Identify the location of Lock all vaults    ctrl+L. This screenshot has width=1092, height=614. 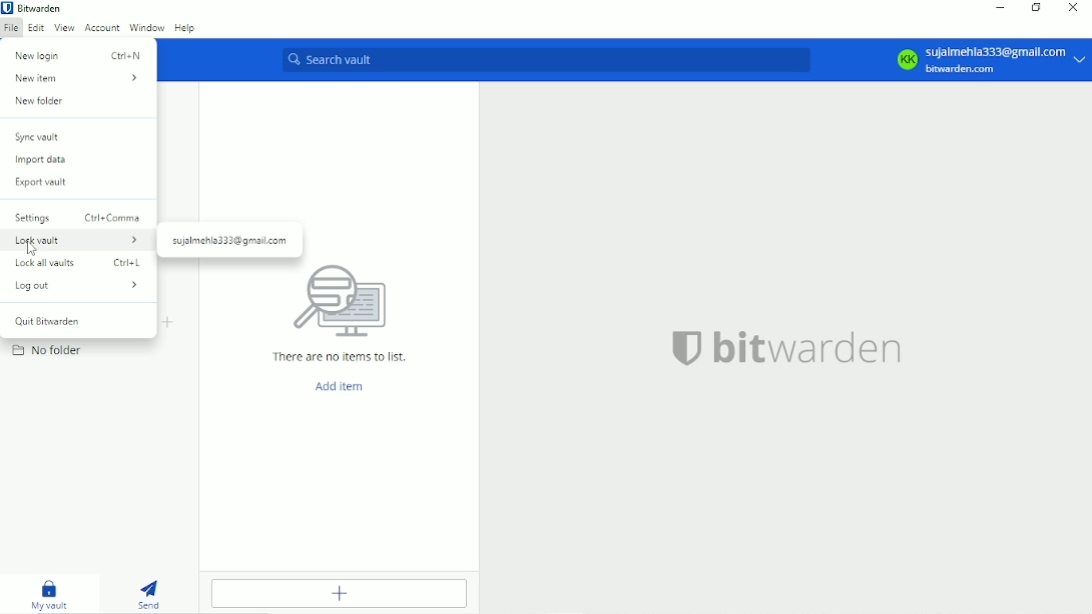
(80, 262).